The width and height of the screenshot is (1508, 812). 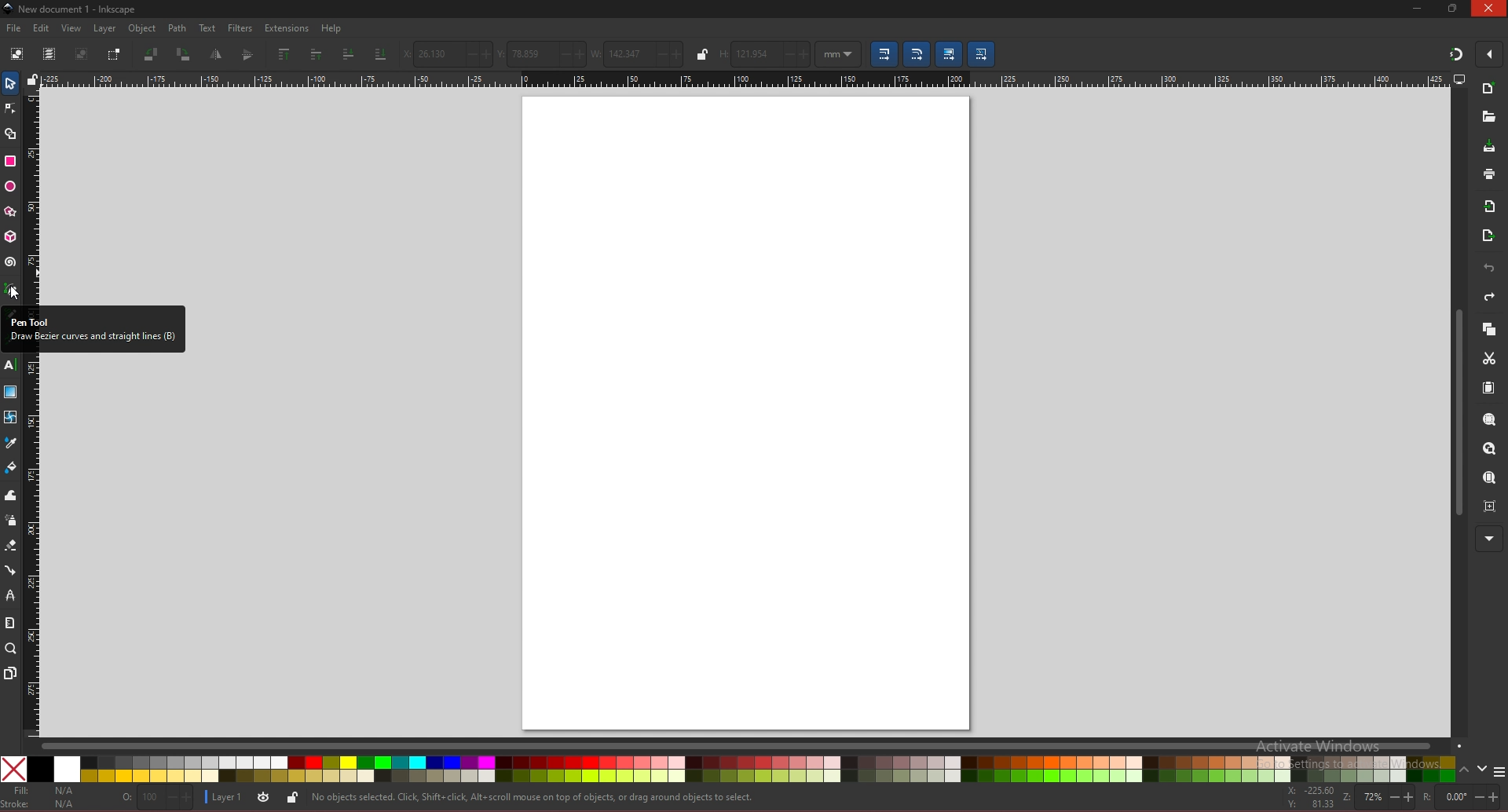 What do you see at coordinates (1455, 8) in the screenshot?
I see `resize` at bounding box center [1455, 8].